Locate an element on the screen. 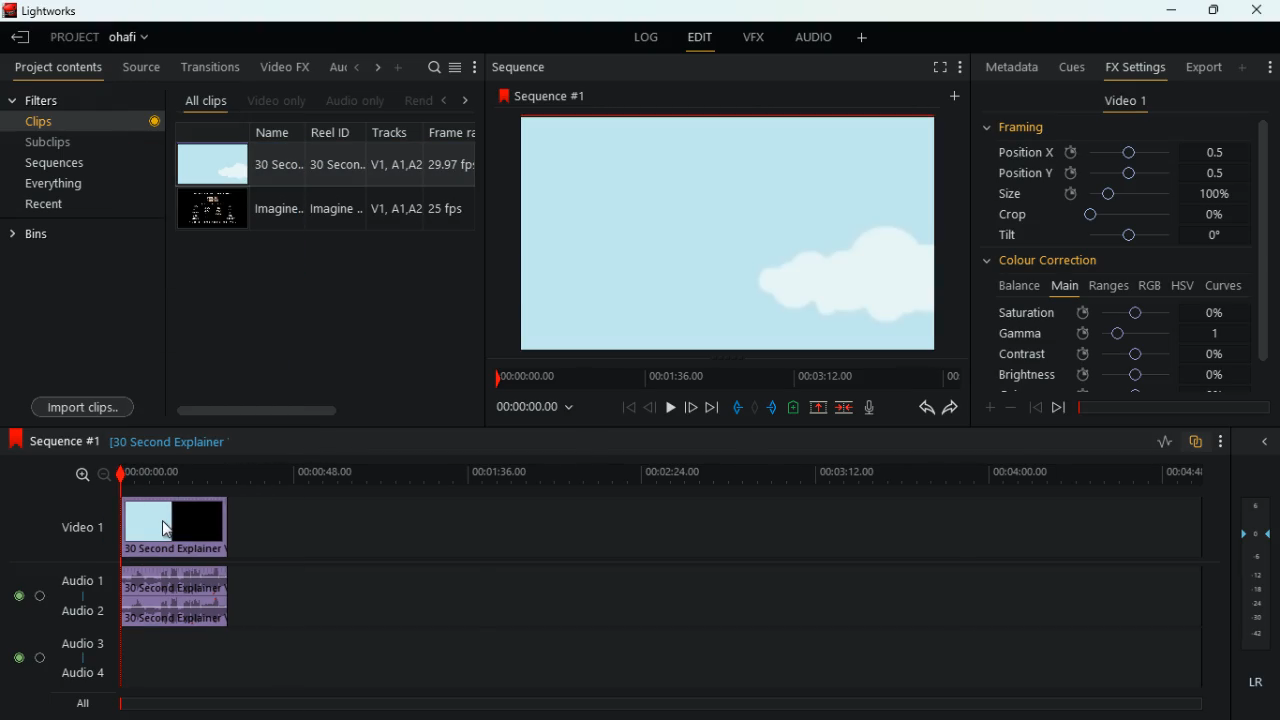  audio 3 is located at coordinates (77, 642).